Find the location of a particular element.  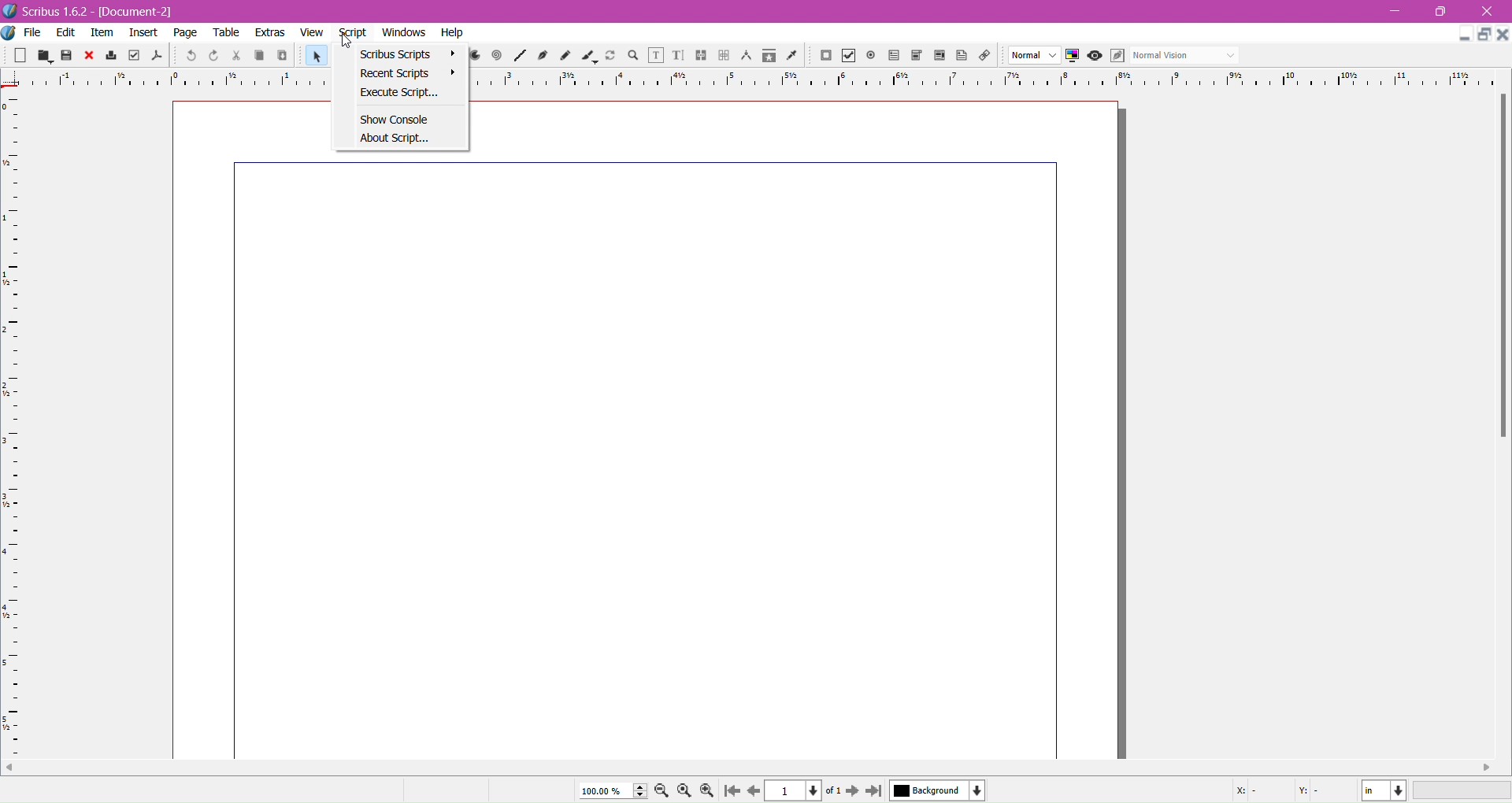

Unlink Text Frames is located at coordinates (723, 56).